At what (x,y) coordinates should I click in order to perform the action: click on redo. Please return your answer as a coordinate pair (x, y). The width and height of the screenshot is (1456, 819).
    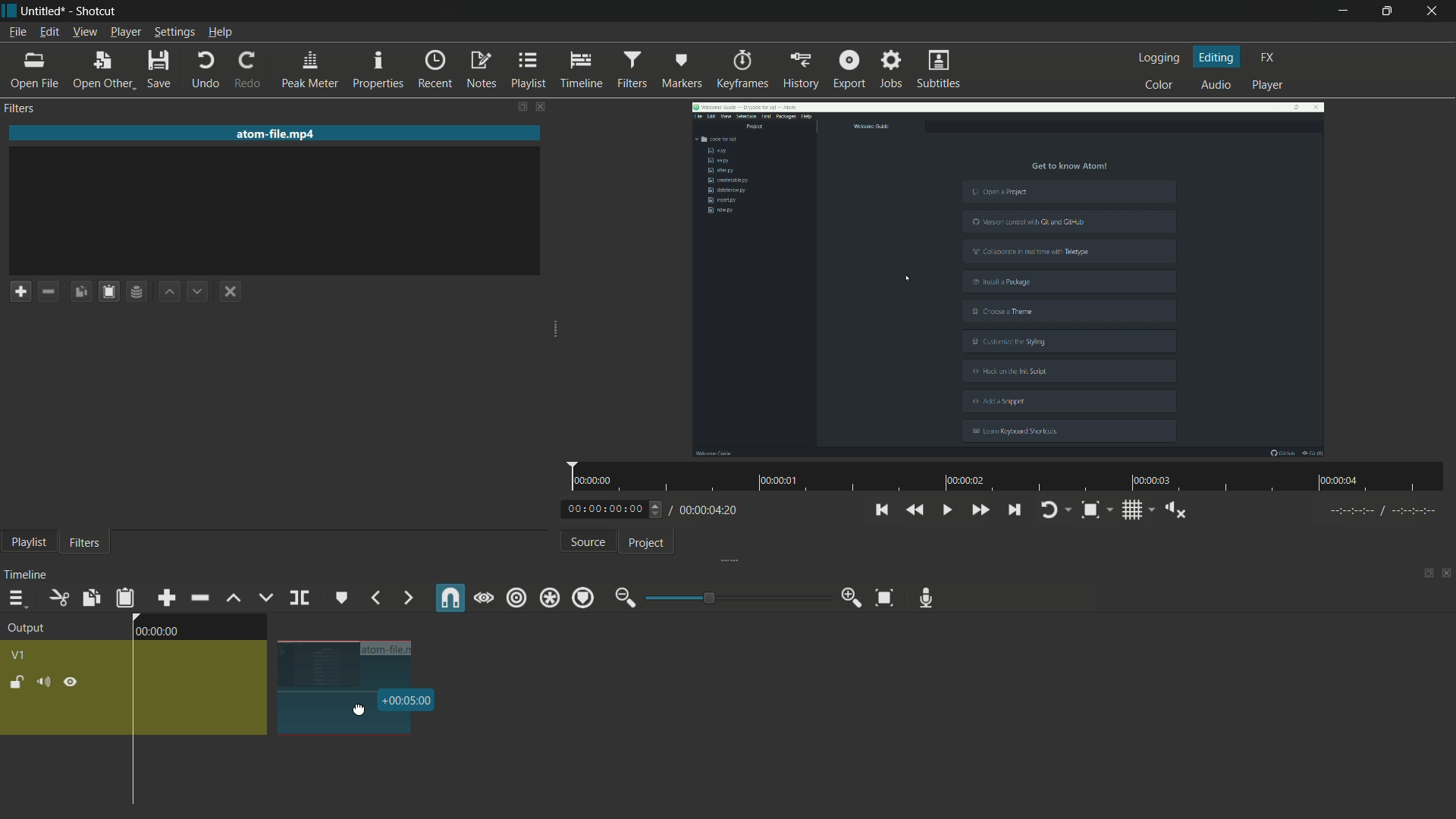
    Looking at the image, I should click on (245, 71).